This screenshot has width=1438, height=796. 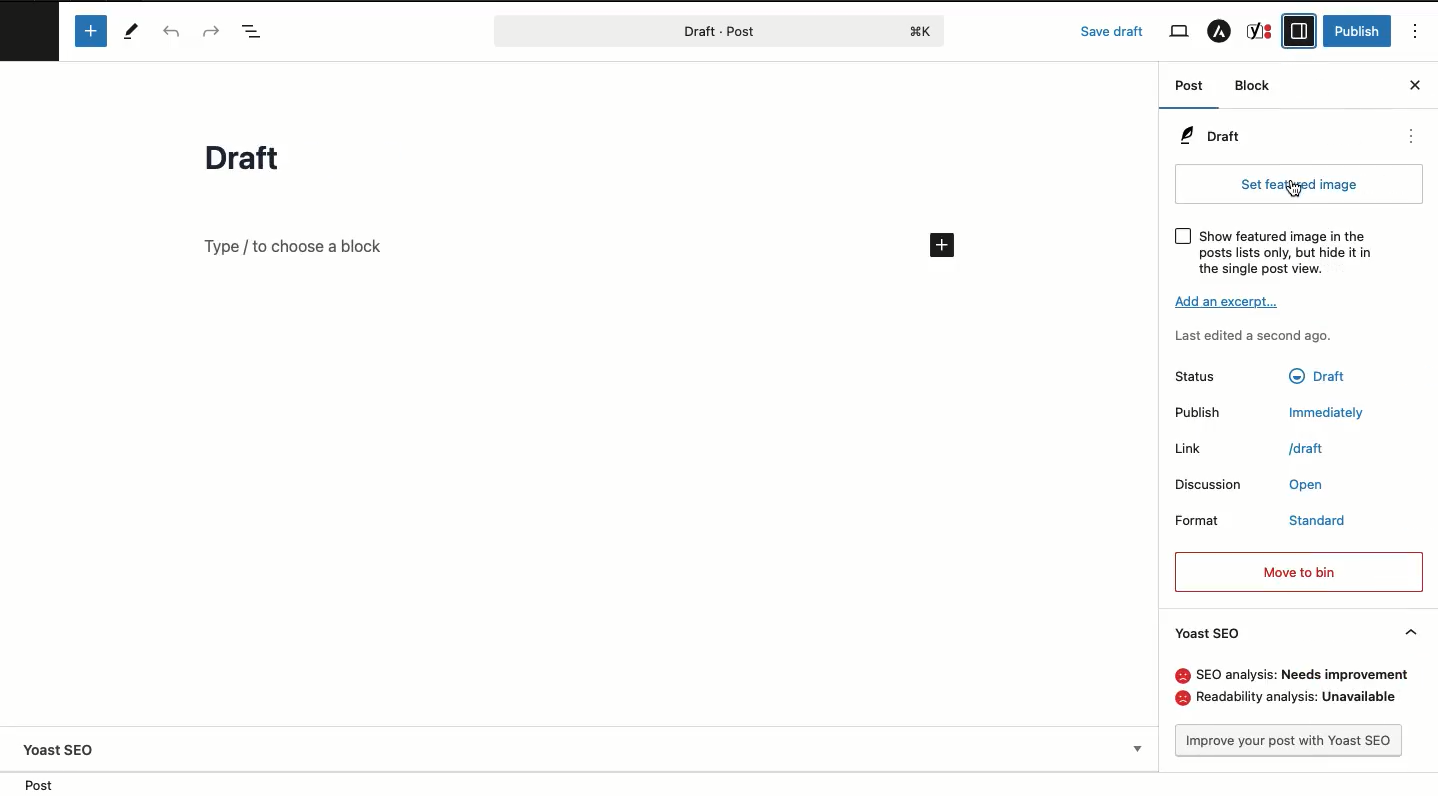 What do you see at coordinates (1412, 135) in the screenshot?
I see `more` at bounding box center [1412, 135].